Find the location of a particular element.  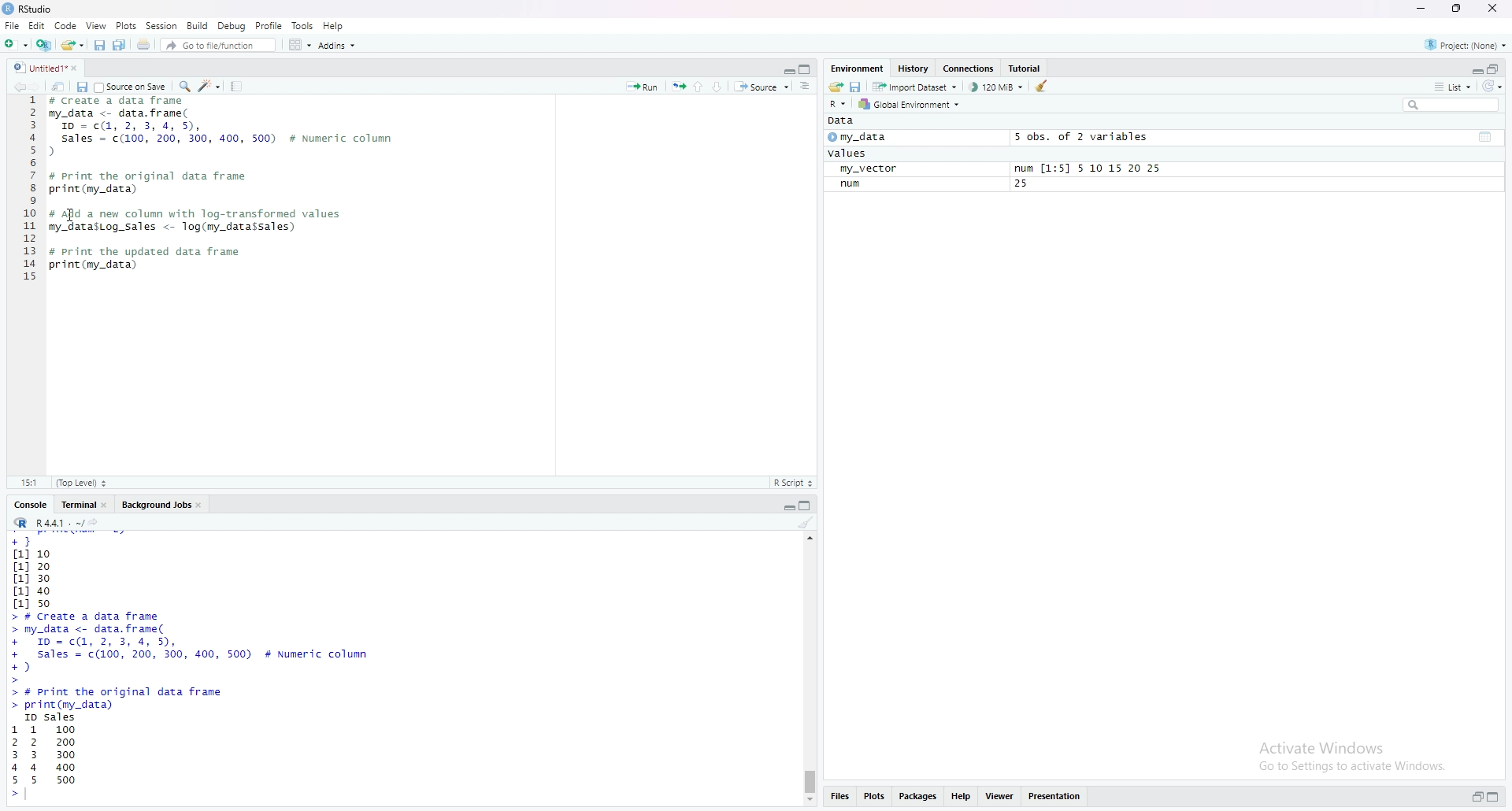

print the current file is located at coordinates (145, 46).